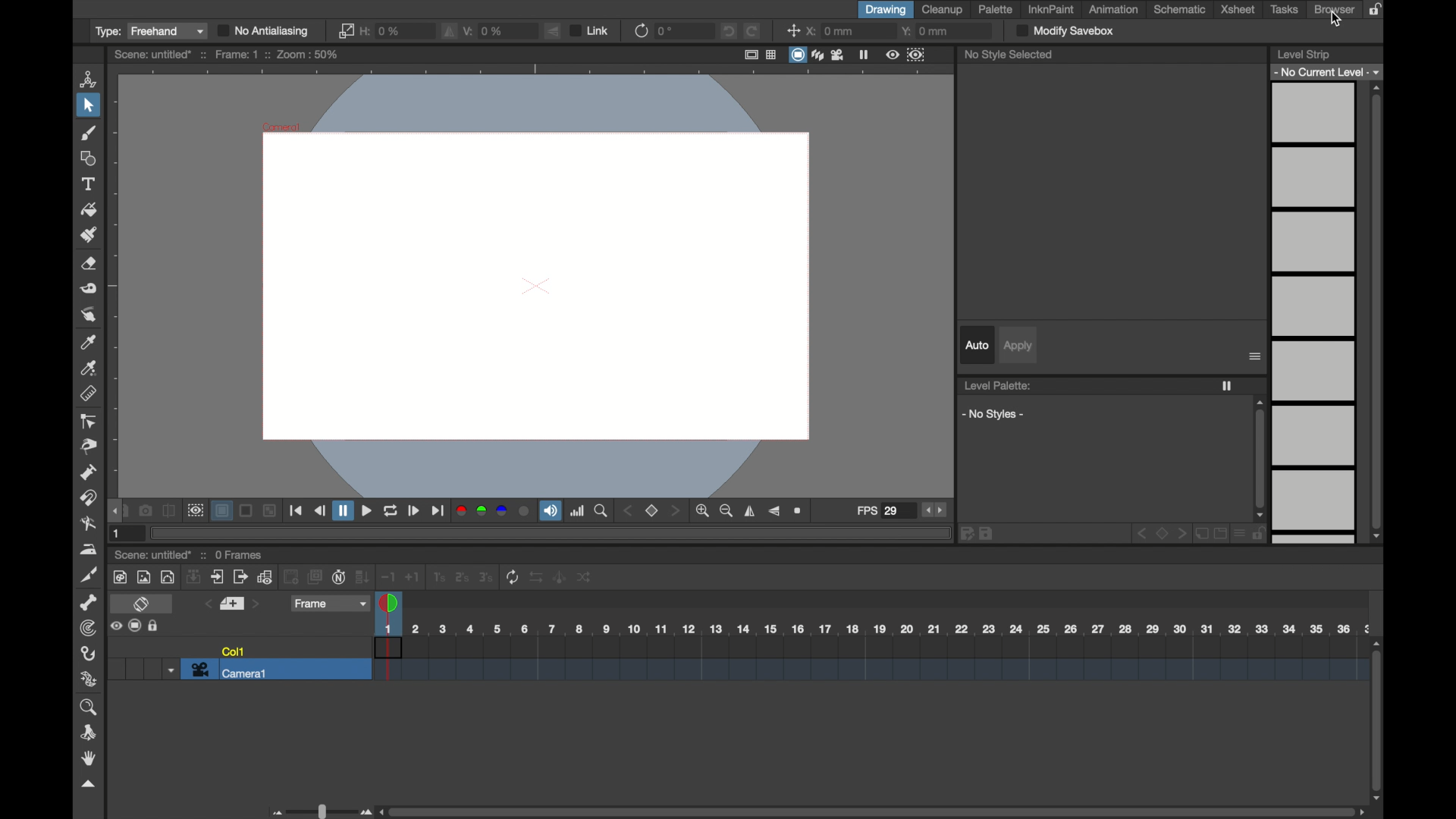  I want to click on control point editor tool, so click(87, 422).